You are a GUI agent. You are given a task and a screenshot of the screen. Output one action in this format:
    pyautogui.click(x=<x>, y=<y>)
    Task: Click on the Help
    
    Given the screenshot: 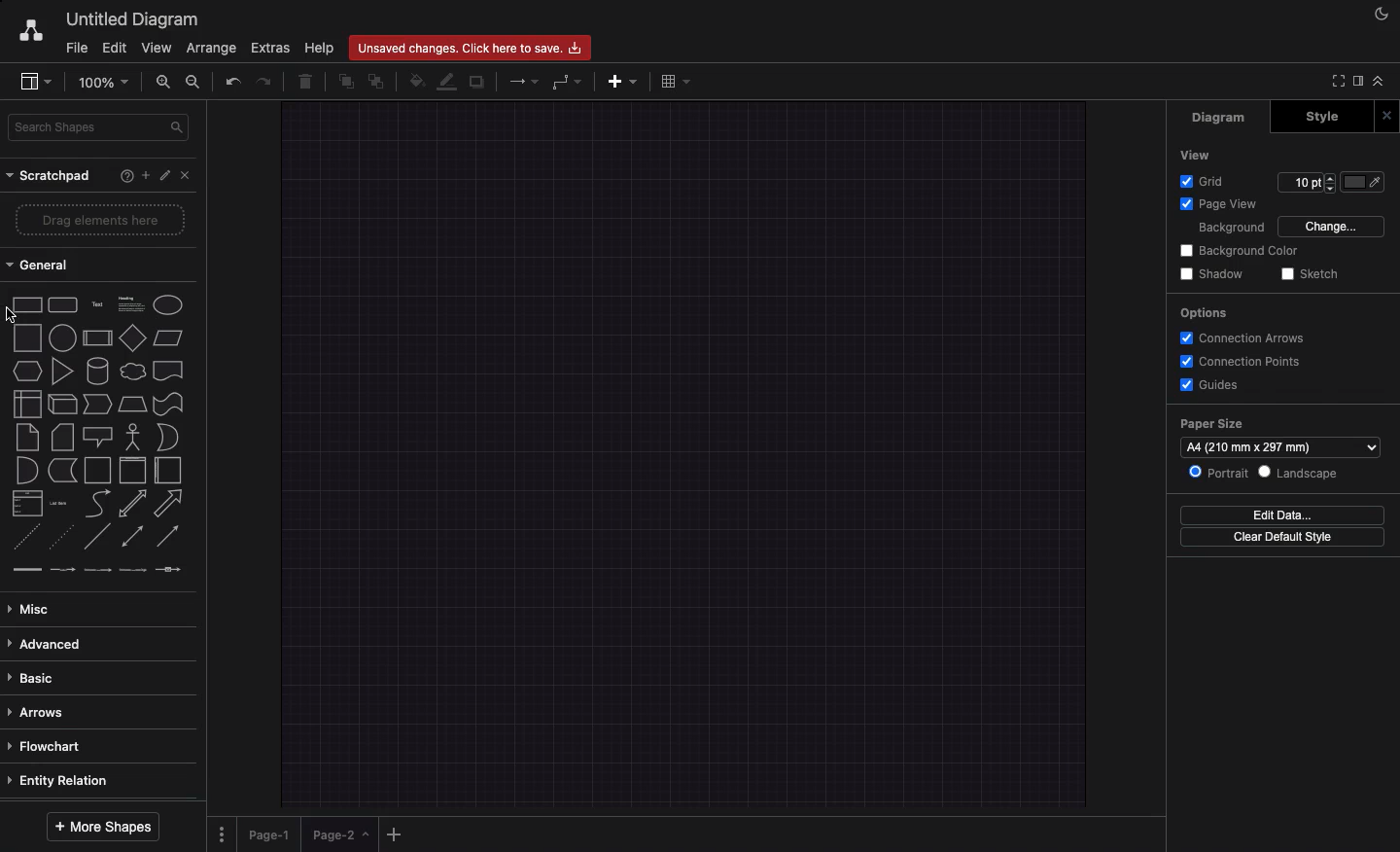 What is the action you would take?
    pyautogui.click(x=122, y=177)
    